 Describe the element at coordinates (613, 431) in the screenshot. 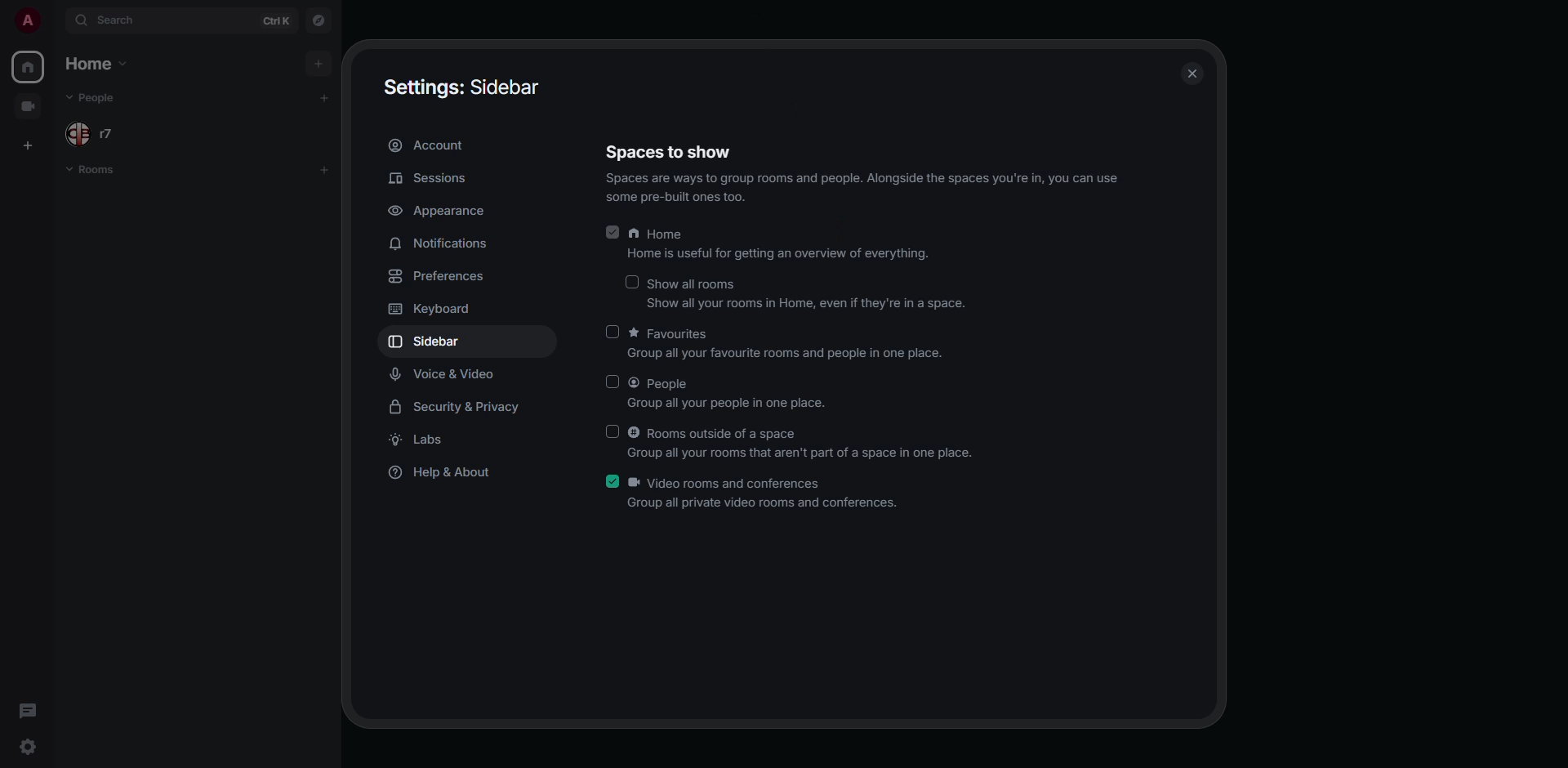

I see `click to enable` at that location.